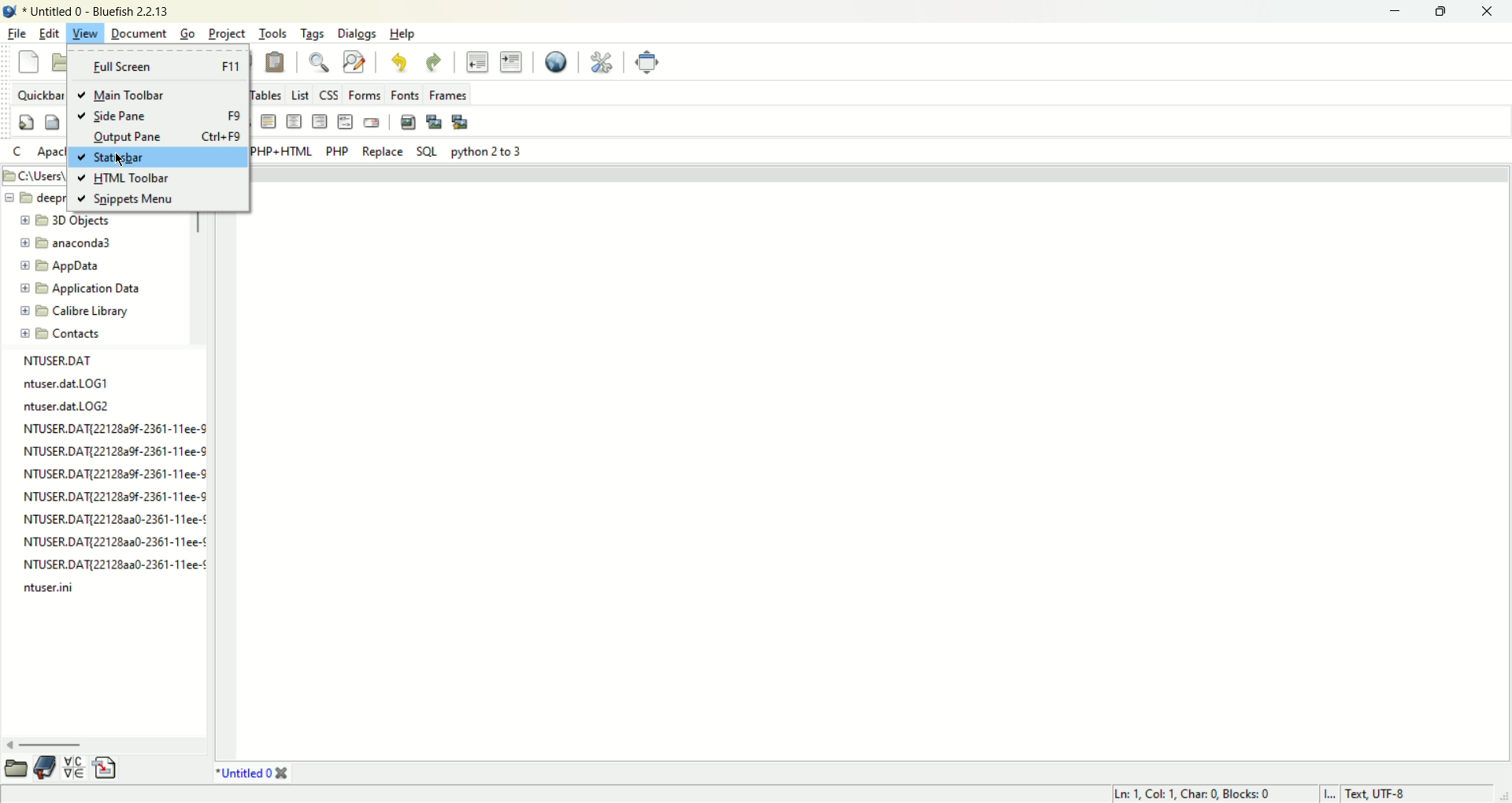 The height and width of the screenshot is (803, 1512). Describe the element at coordinates (51, 153) in the screenshot. I see `apache` at that location.